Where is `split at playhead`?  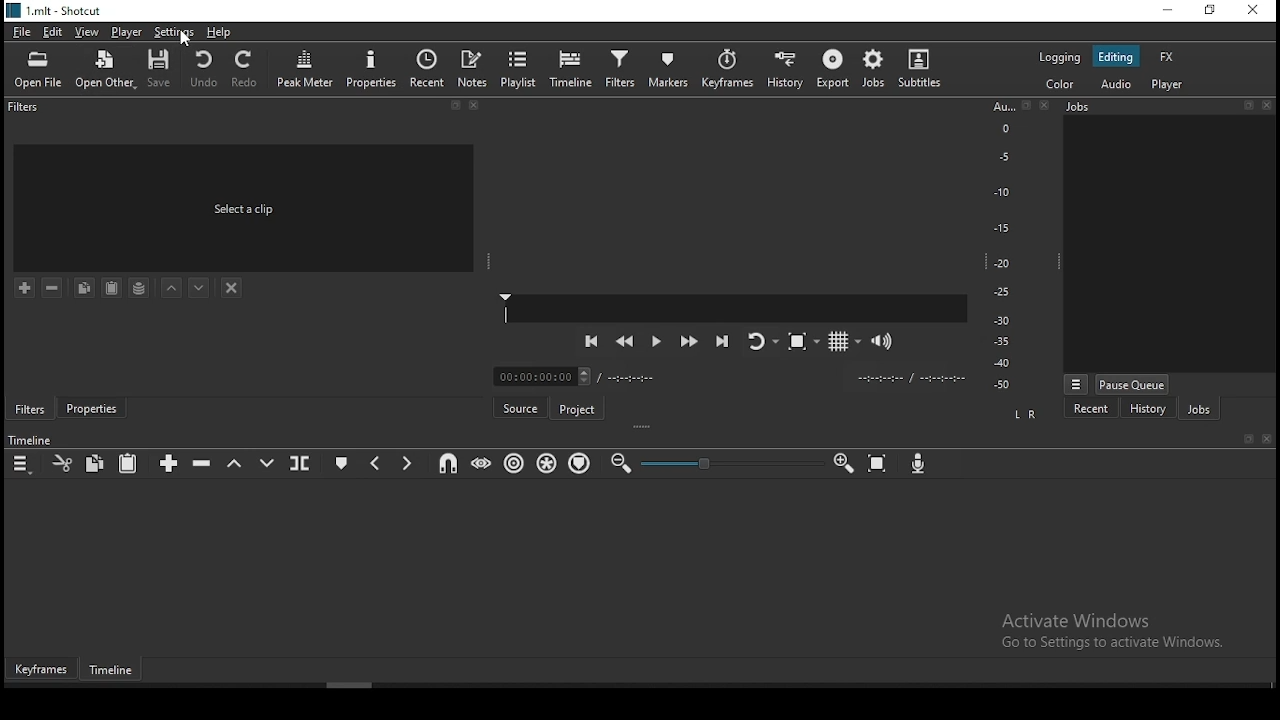
split at playhead is located at coordinates (302, 463).